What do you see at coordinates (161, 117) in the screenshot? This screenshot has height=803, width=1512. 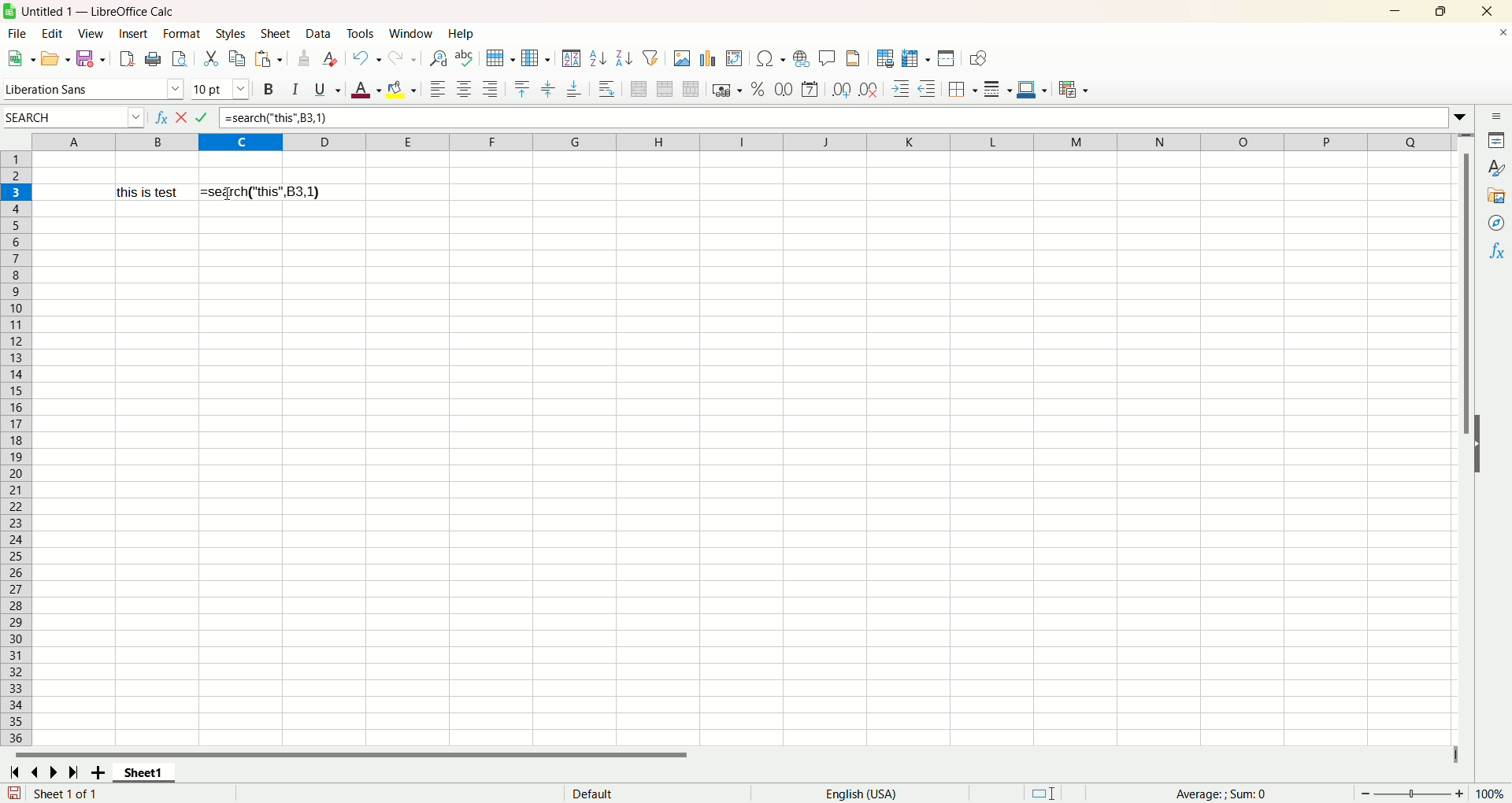 I see `function wizard` at bounding box center [161, 117].